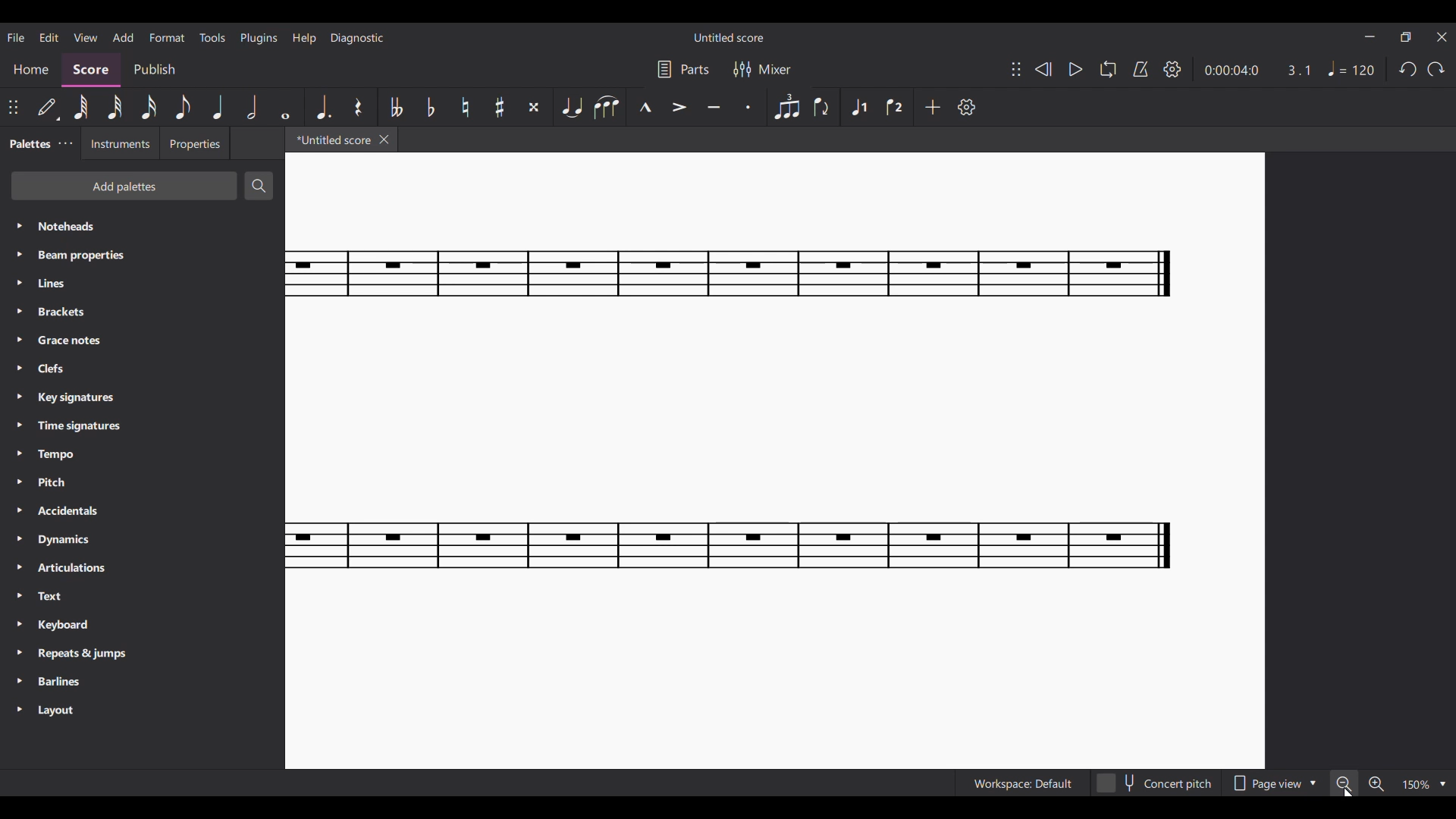 Image resolution: width=1456 pixels, height=819 pixels. I want to click on Slur, so click(607, 107).